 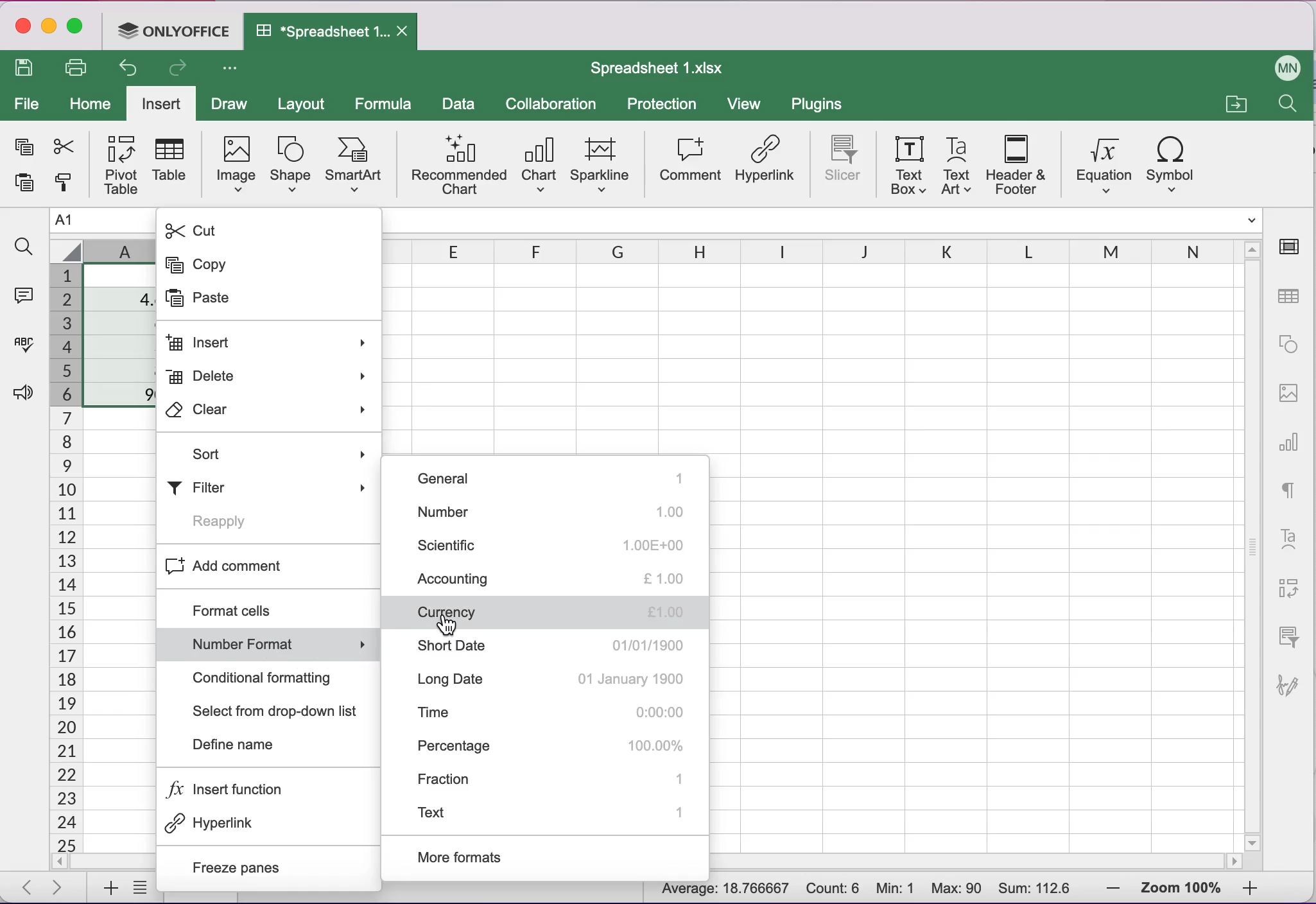 What do you see at coordinates (553, 781) in the screenshot?
I see `fraction` at bounding box center [553, 781].